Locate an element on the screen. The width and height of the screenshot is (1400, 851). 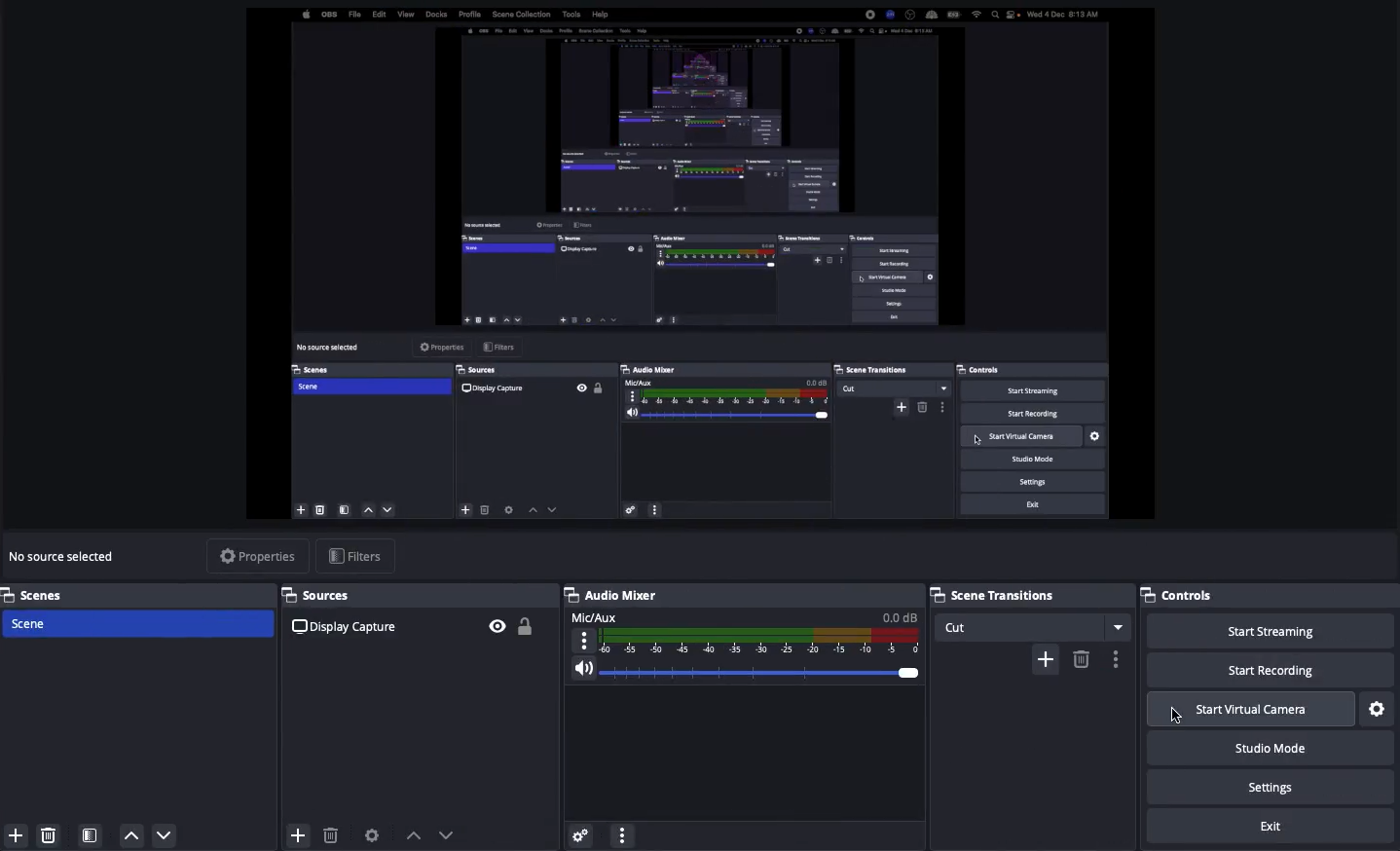
Add is located at coordinates (16, 834).